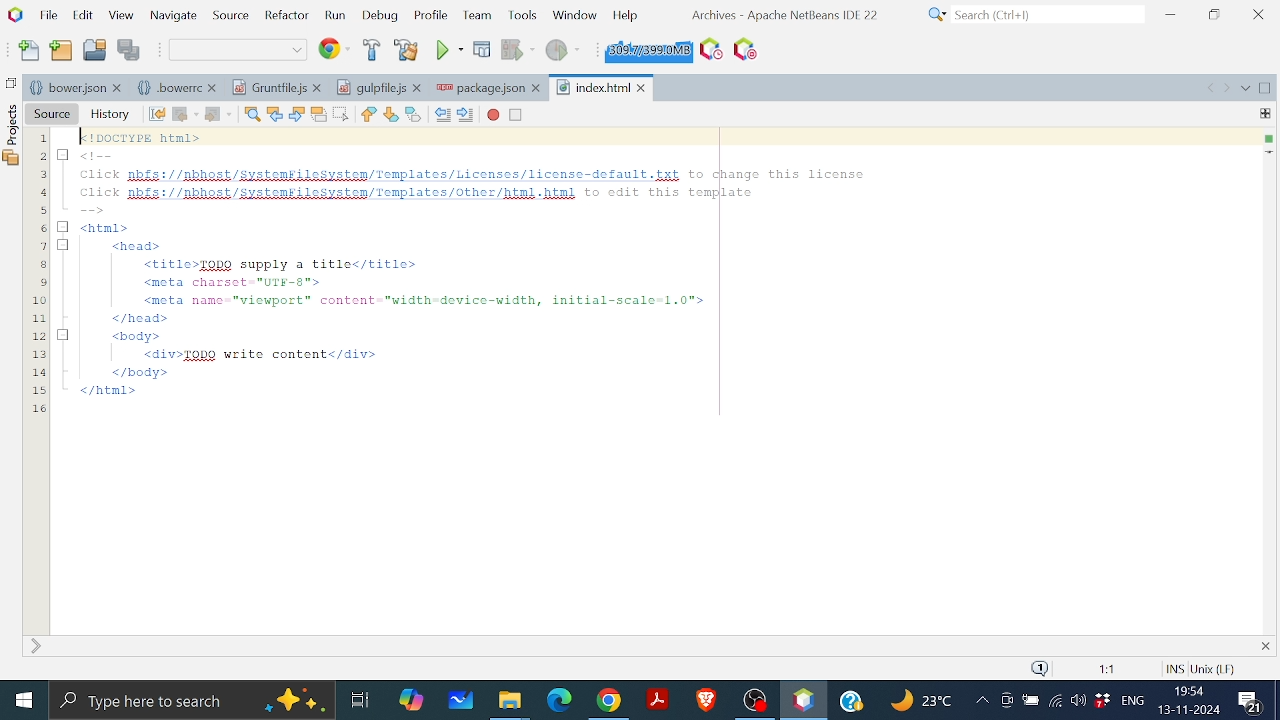  Describe the element at coordinates (492, 114) in the screenshot. I see `Start macro recording` at that location.